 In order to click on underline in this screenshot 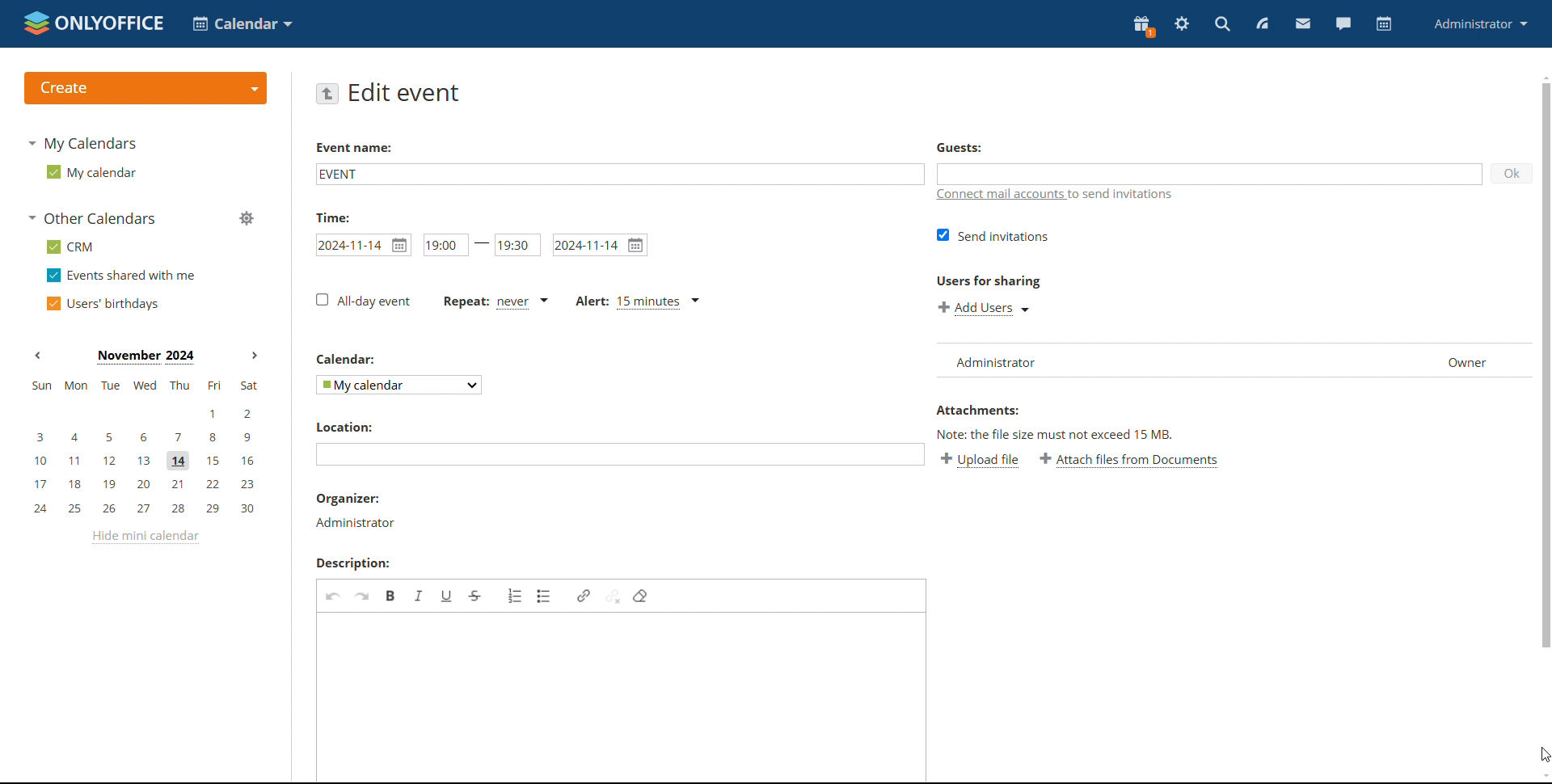, I will do `click(447, 595)`.